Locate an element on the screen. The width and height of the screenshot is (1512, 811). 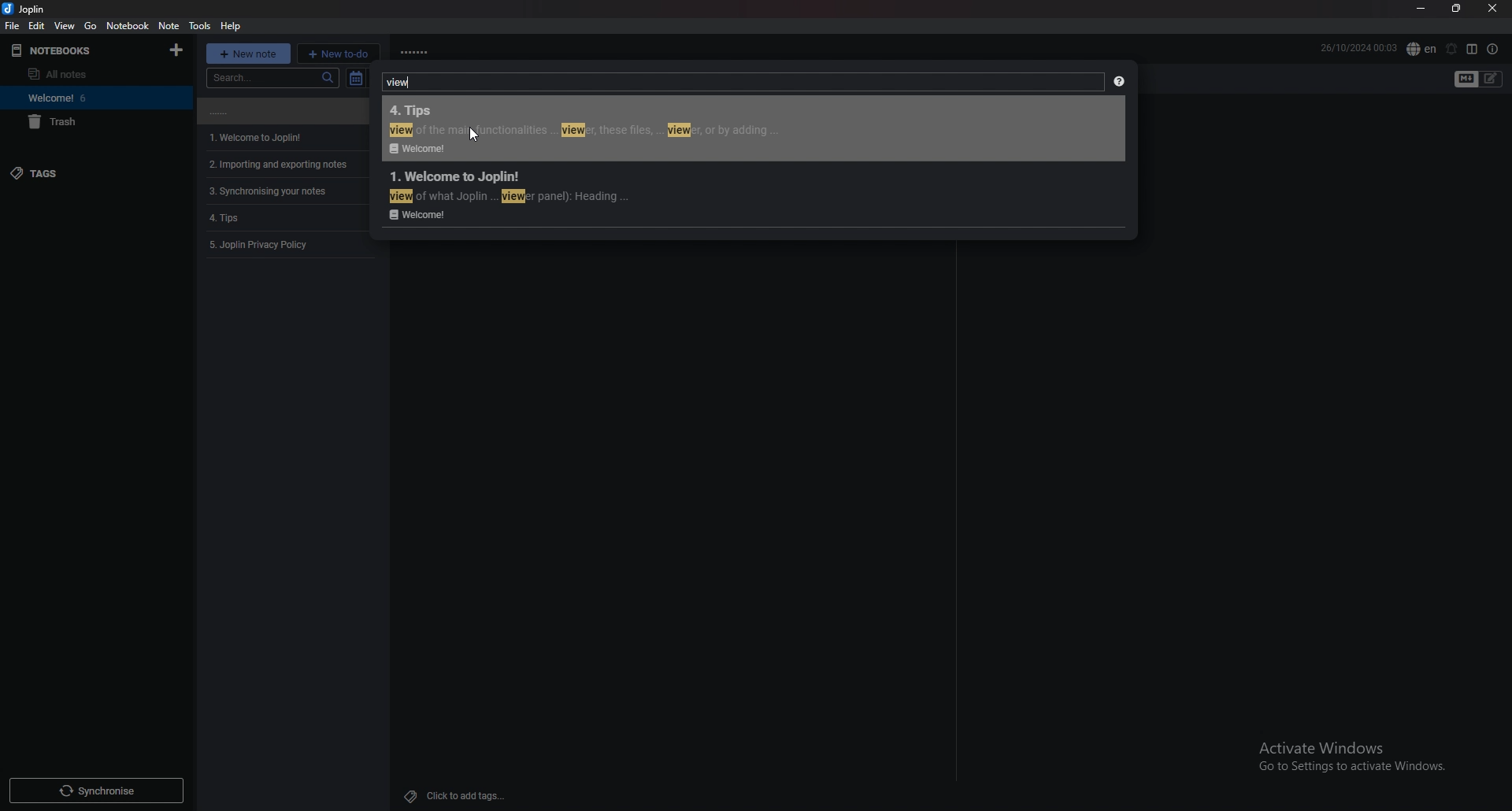
 is located at coordinates (1346, 757).